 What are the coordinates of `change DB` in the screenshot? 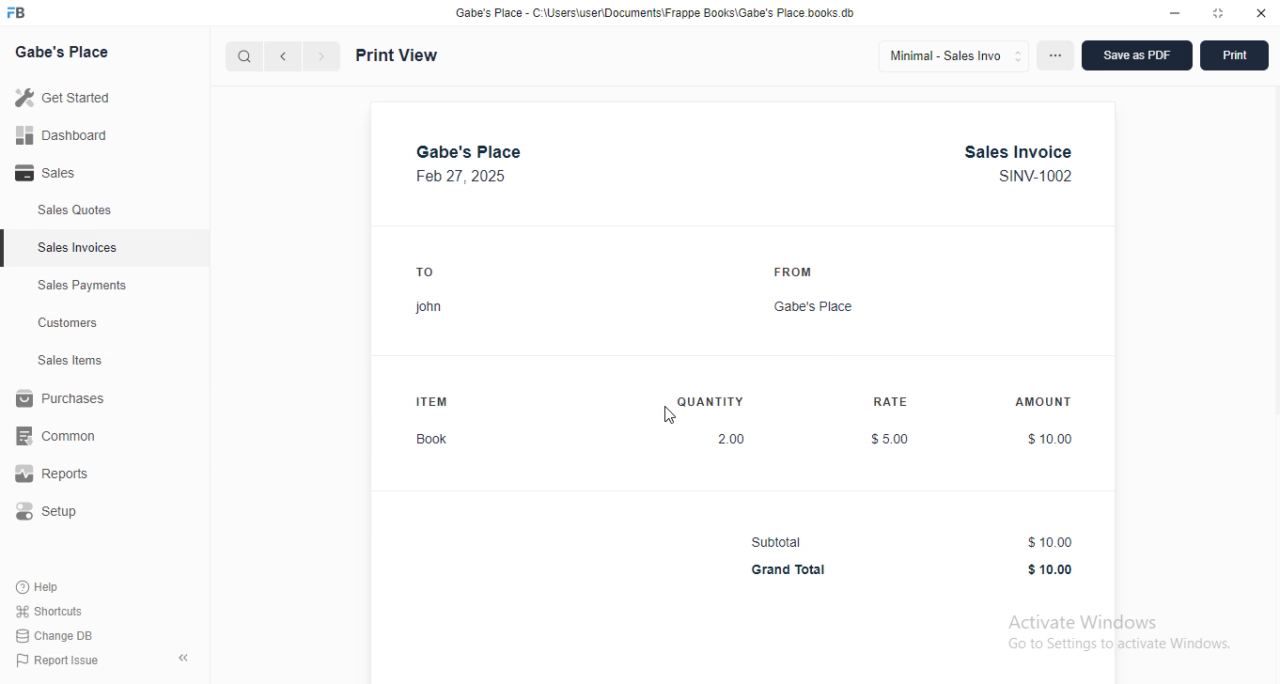 It's located at (54, 636).